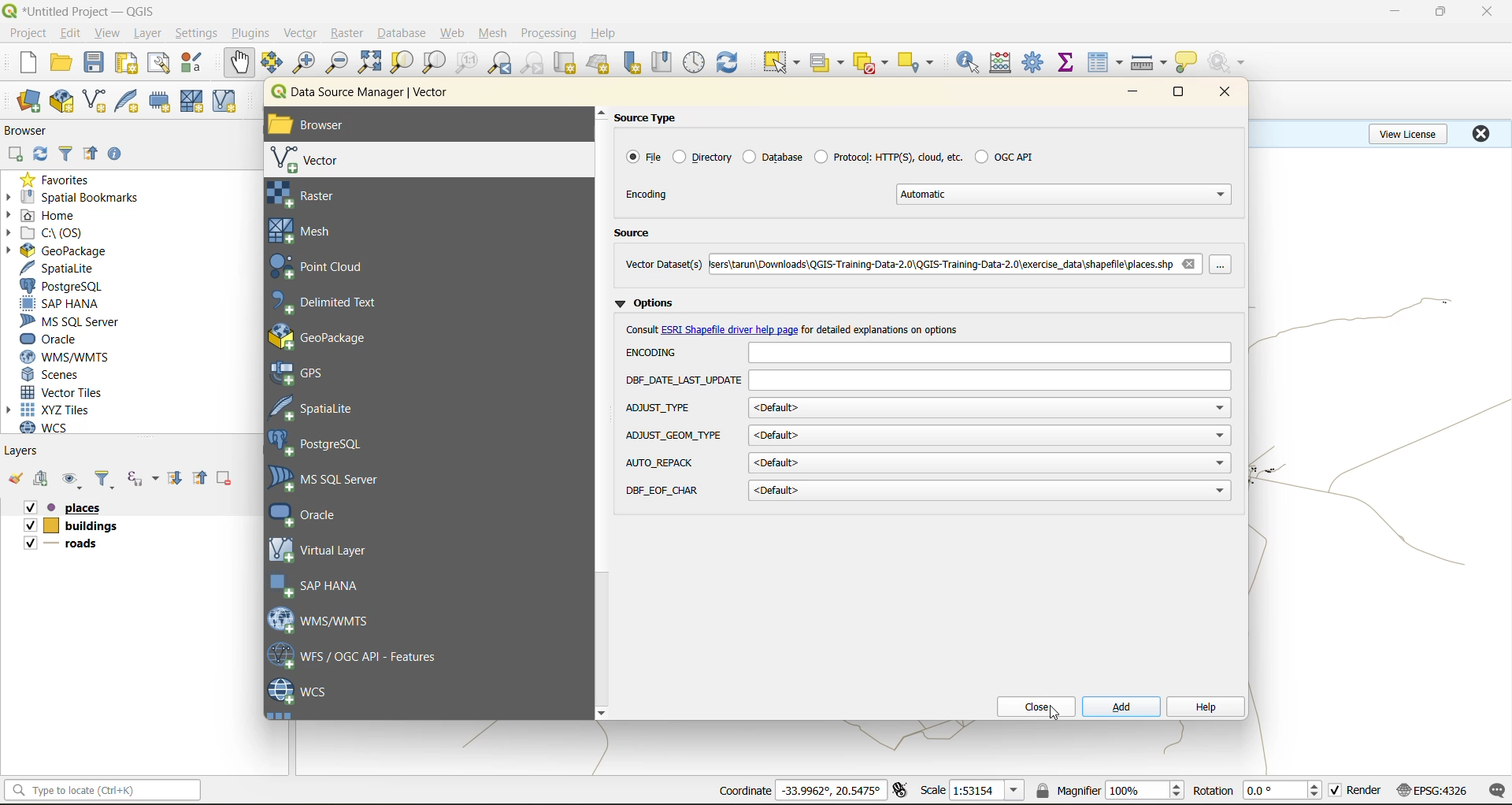 The height and width of the screenshot is (805, 1512). I want to click on dbf date last update, so click(991, 381).